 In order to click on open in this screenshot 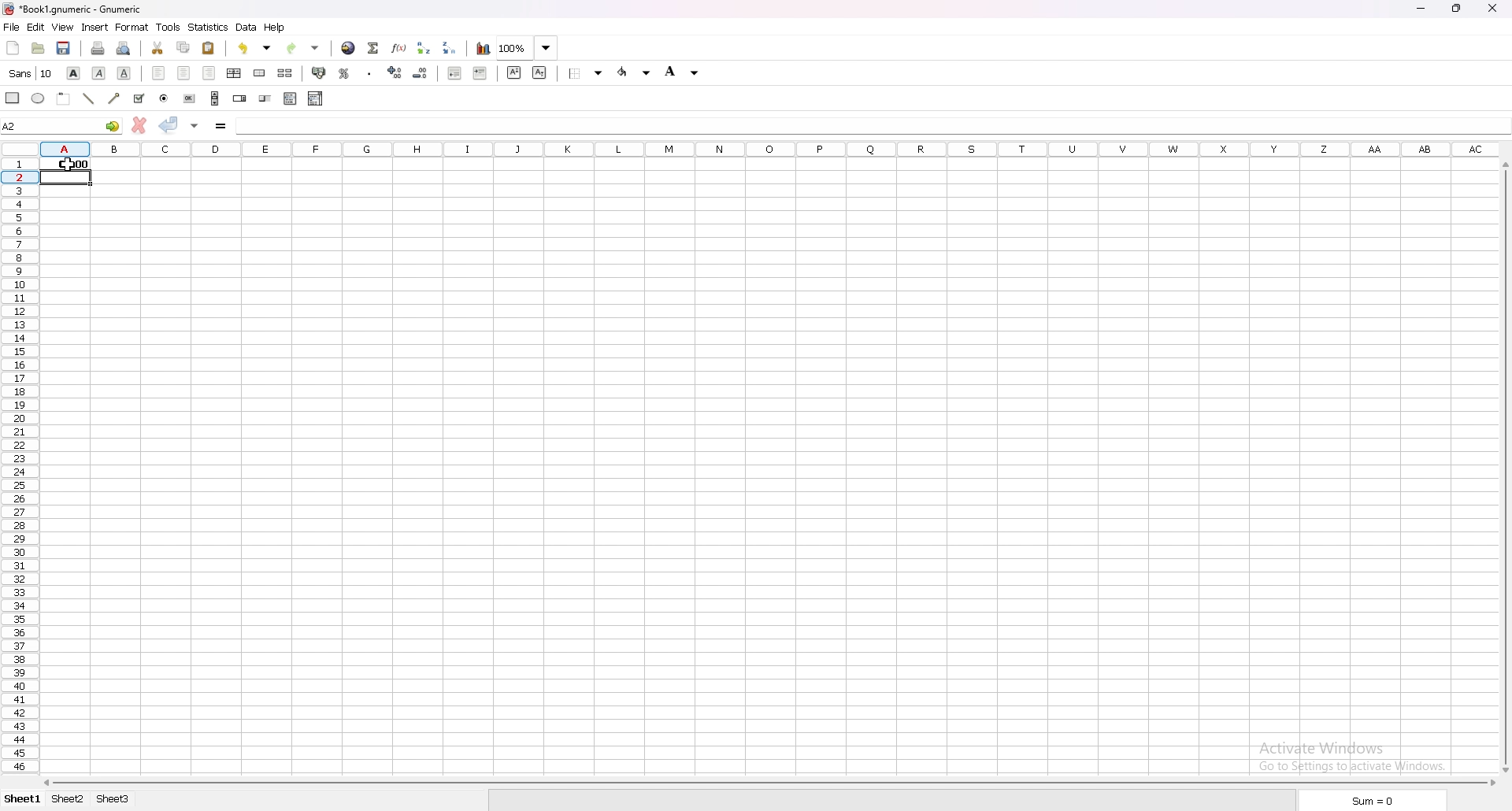, I will do `click(39, 48)`.